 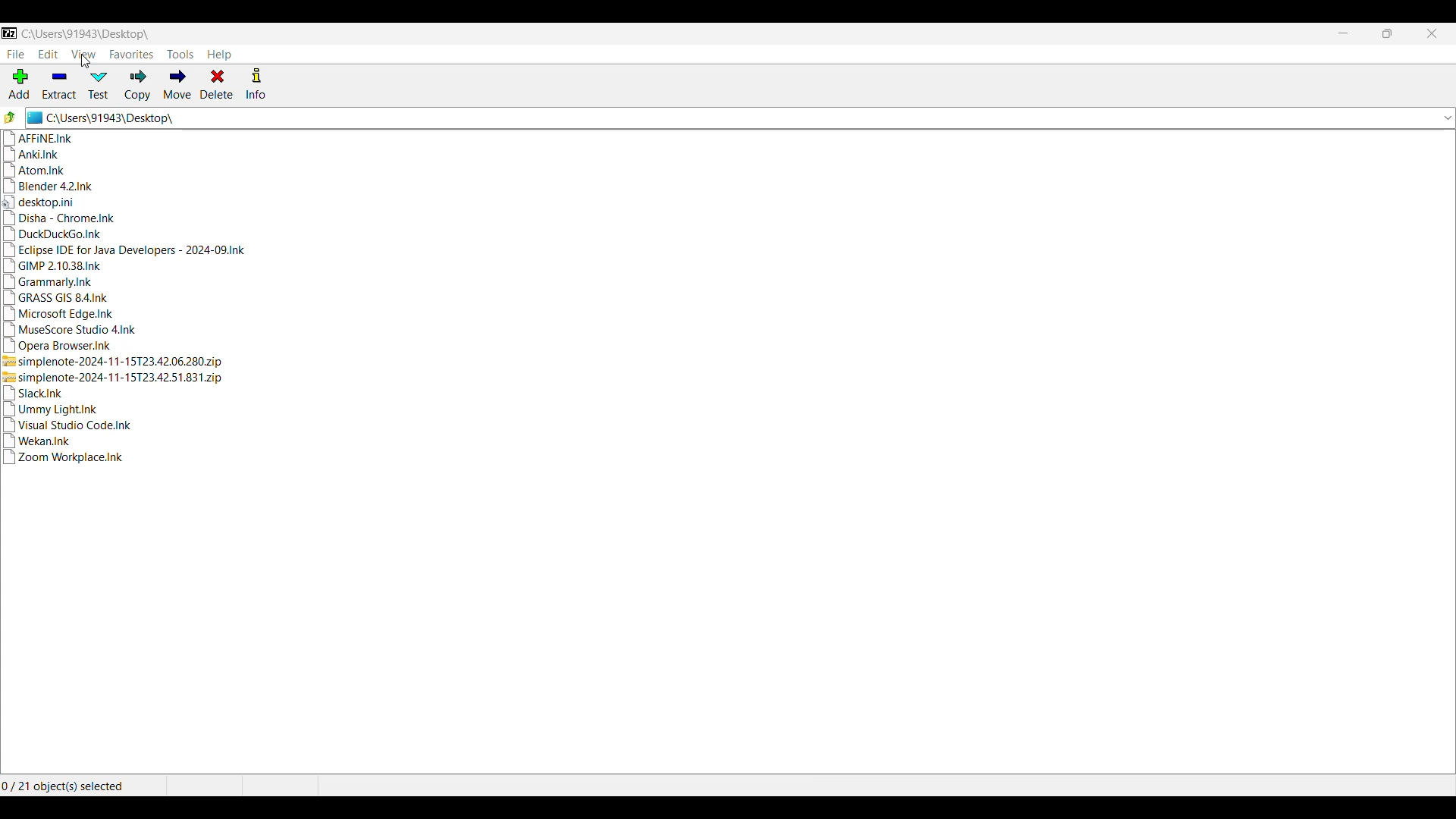 What do you see at coordinates (39, 138) in the screenshot?
I see `AFFINE.Ink` at bounding box center [39, 138].